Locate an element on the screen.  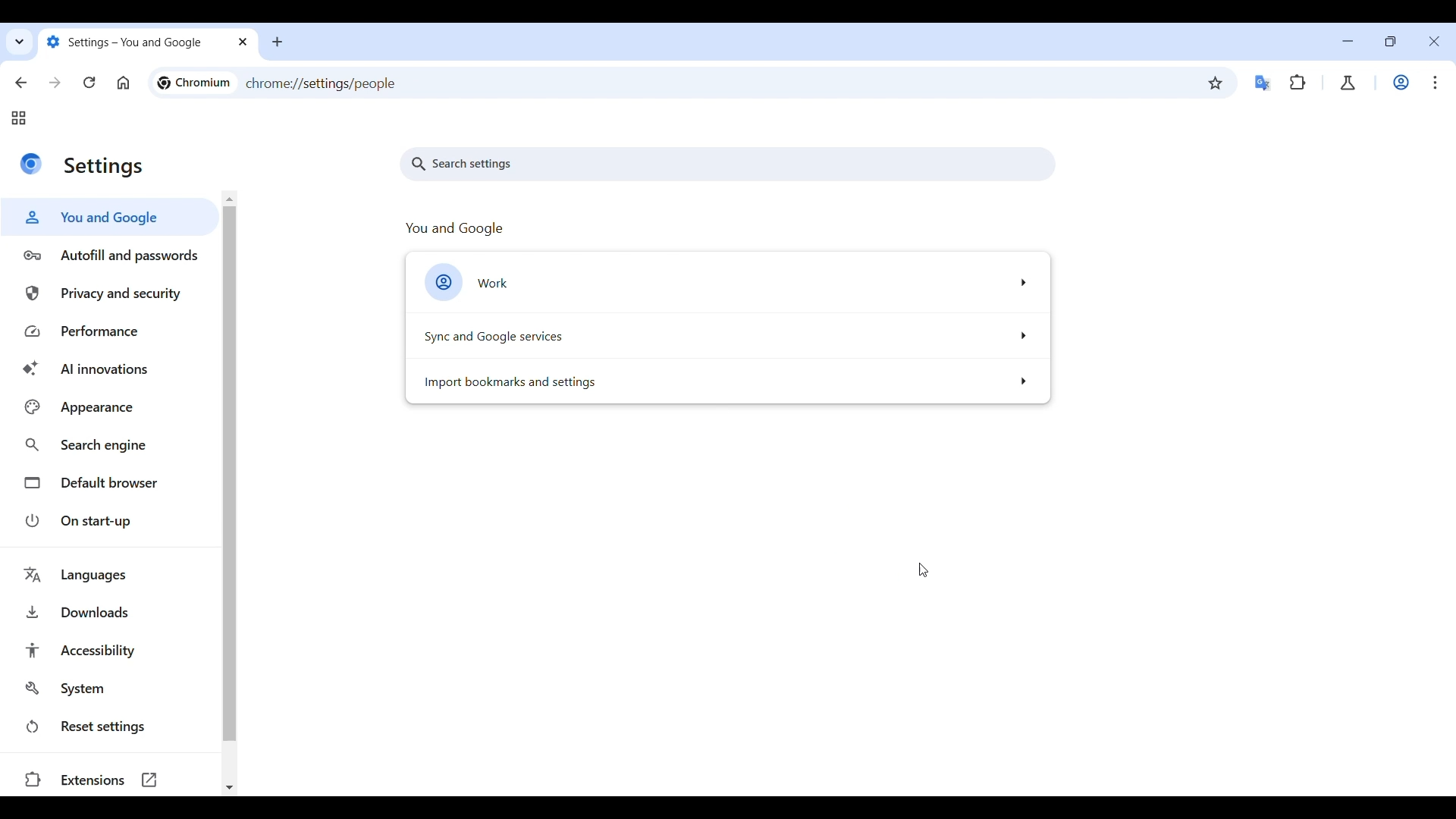
Performance is located at coordinates (112, 331).